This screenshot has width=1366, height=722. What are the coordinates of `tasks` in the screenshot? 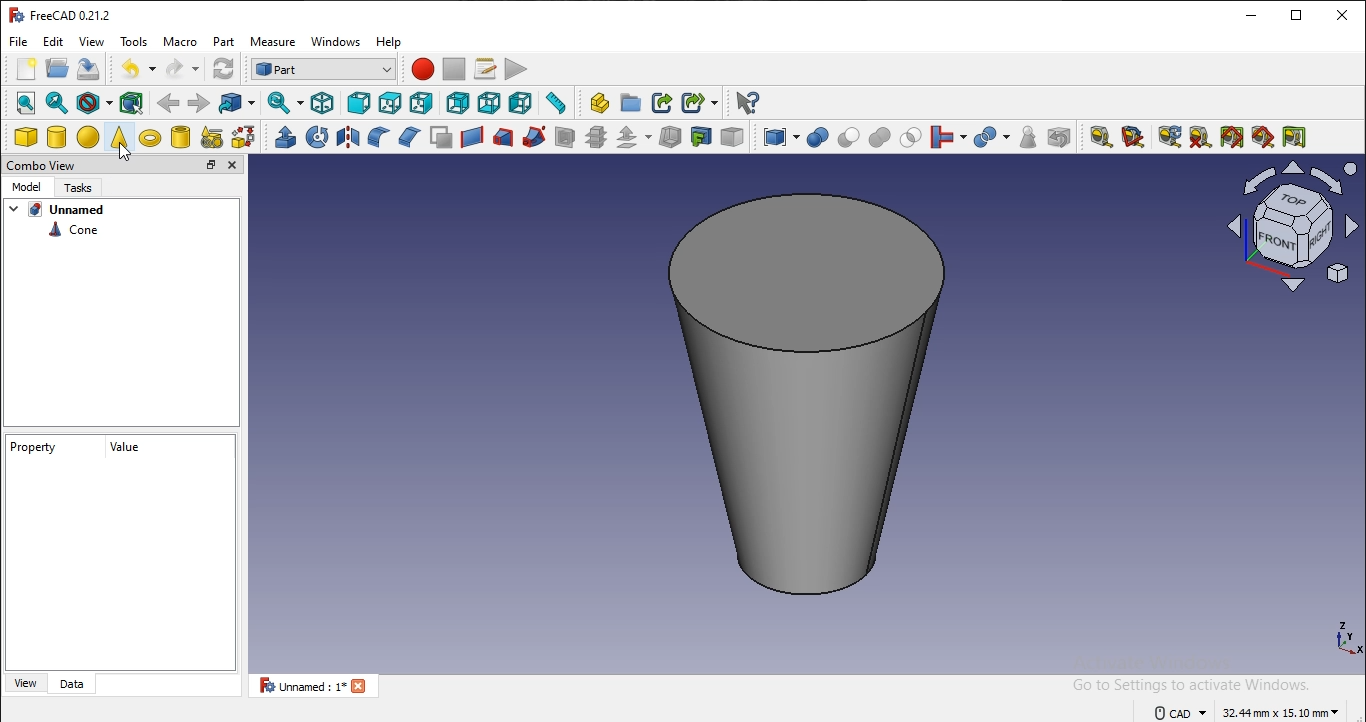 It's located at (78, 186).